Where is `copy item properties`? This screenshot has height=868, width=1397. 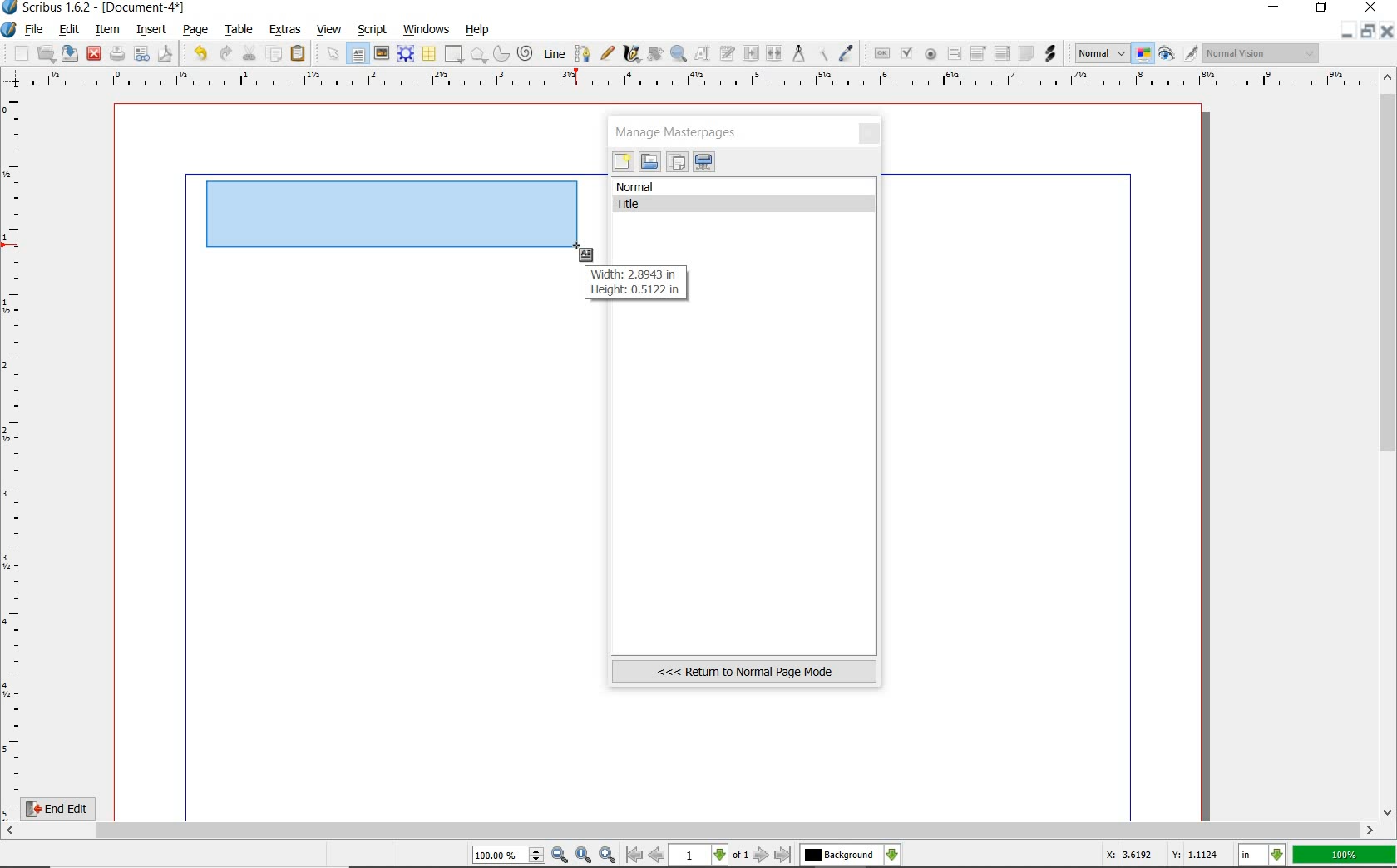
copy item properties is located at coordinates (824, 52).